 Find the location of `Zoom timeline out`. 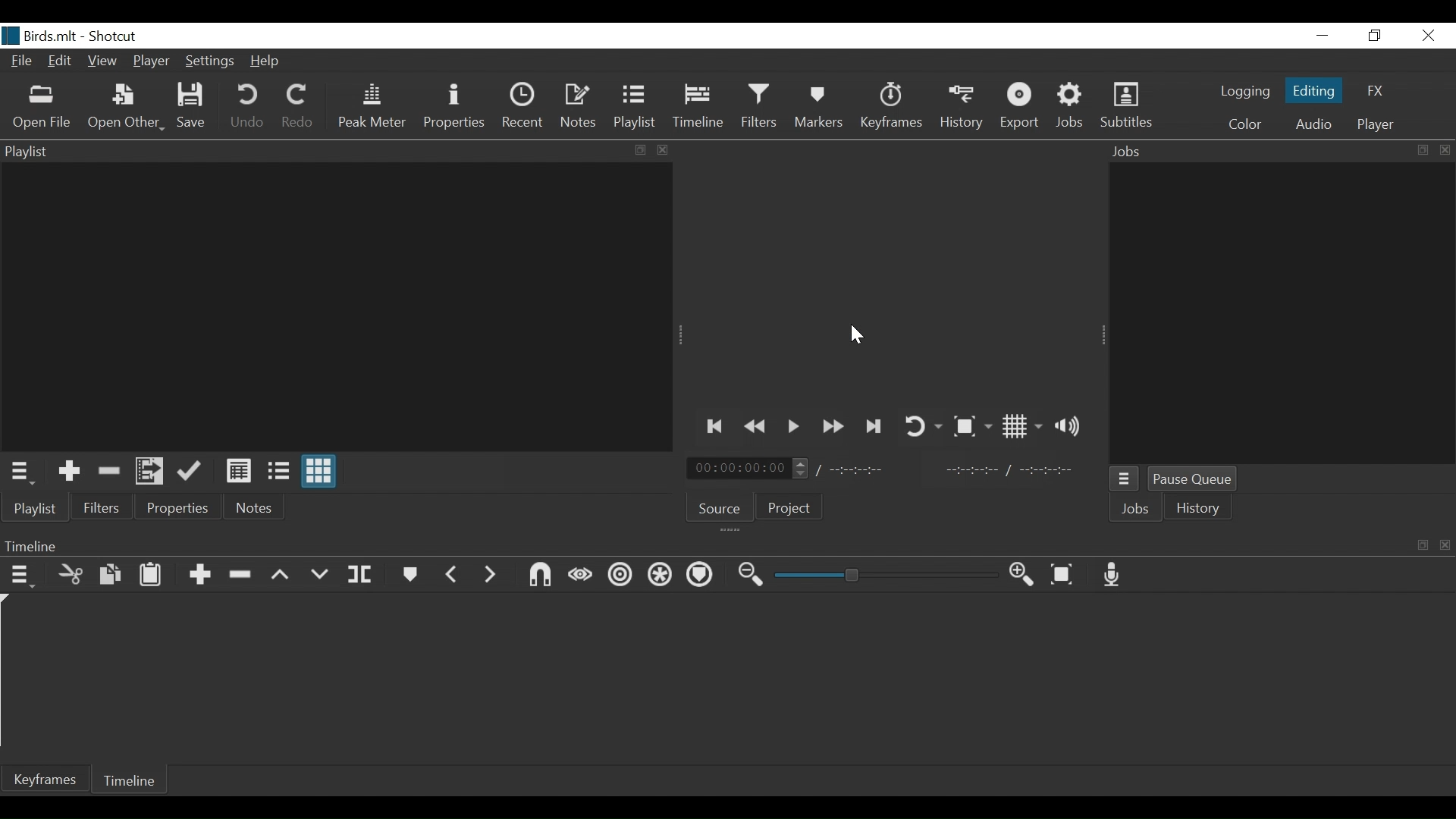

Zoom timeline out is located at coordinates (752, 576).